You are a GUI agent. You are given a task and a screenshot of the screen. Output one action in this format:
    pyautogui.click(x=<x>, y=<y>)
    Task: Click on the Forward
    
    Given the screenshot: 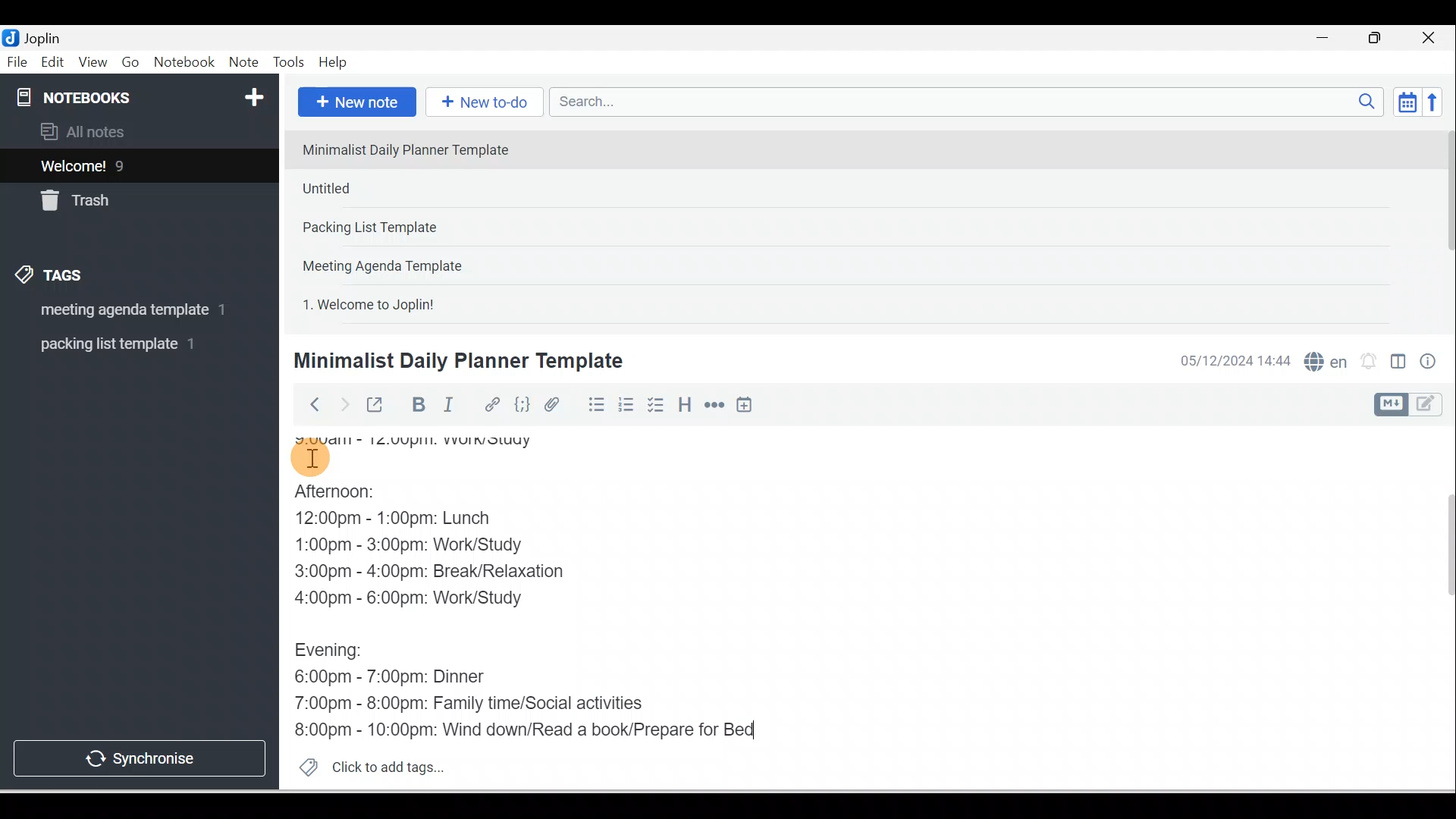 What is the action you would take?
    pyautogui.click(x=343, y=403)
    